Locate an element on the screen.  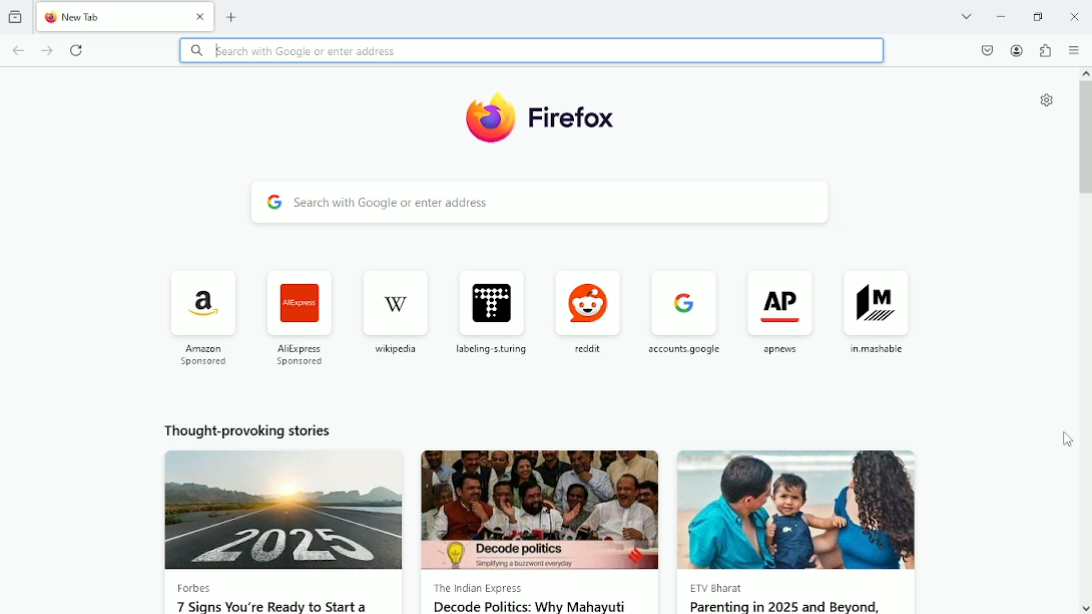
restore down is located at coordinates (1040, 16).